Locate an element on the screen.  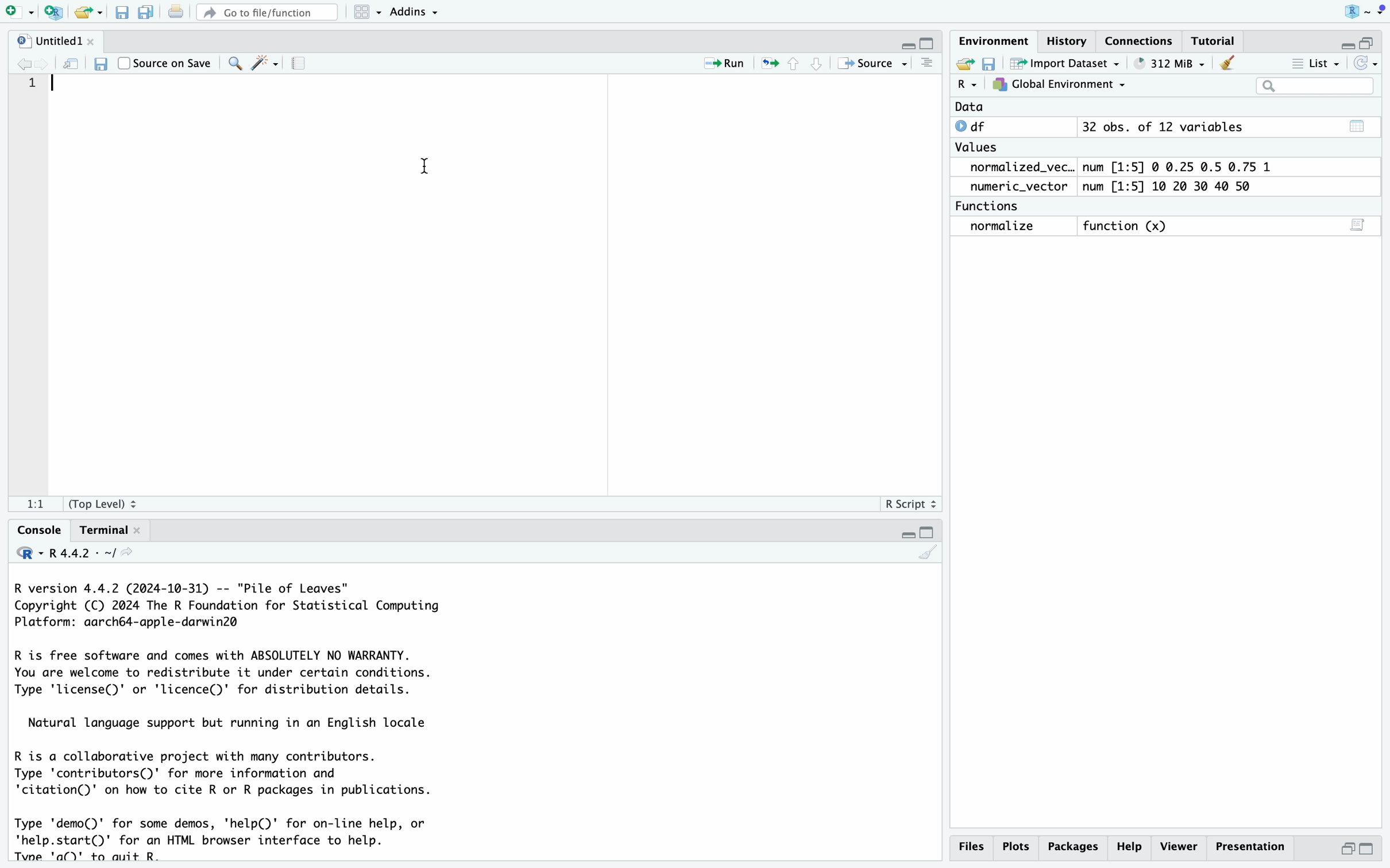
code tools is located at coordinates (264, 63).